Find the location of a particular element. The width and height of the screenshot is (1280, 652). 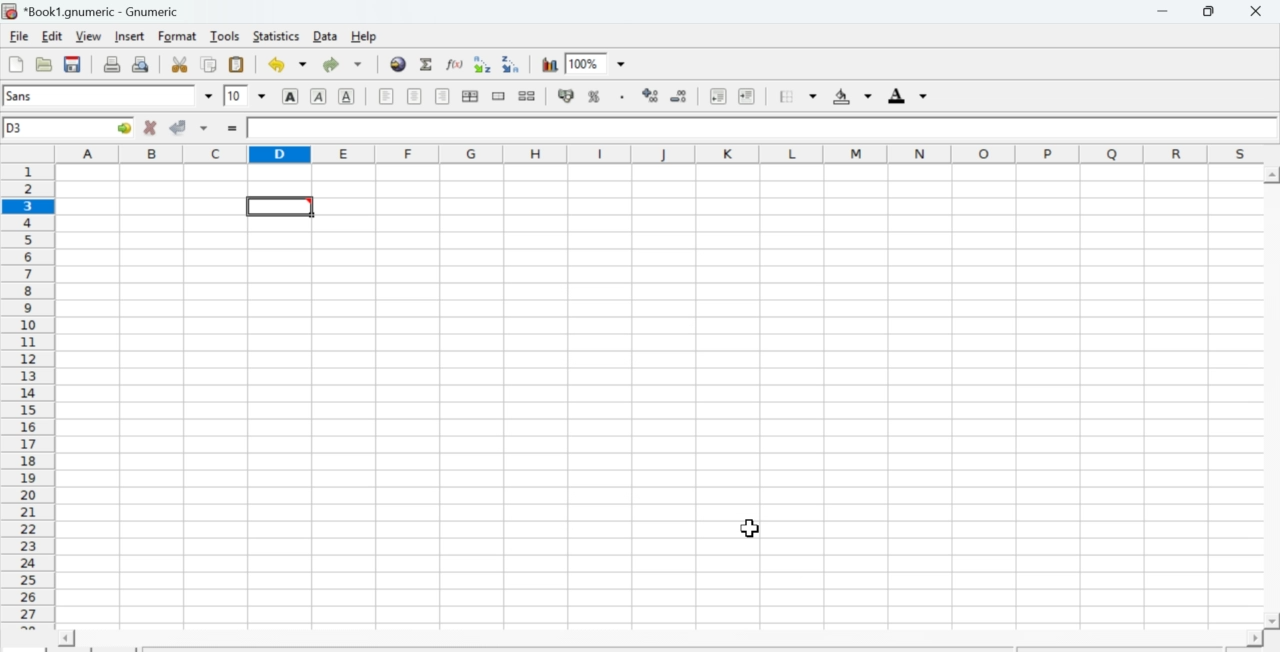

Align Right is located at coordinates (443, 97).